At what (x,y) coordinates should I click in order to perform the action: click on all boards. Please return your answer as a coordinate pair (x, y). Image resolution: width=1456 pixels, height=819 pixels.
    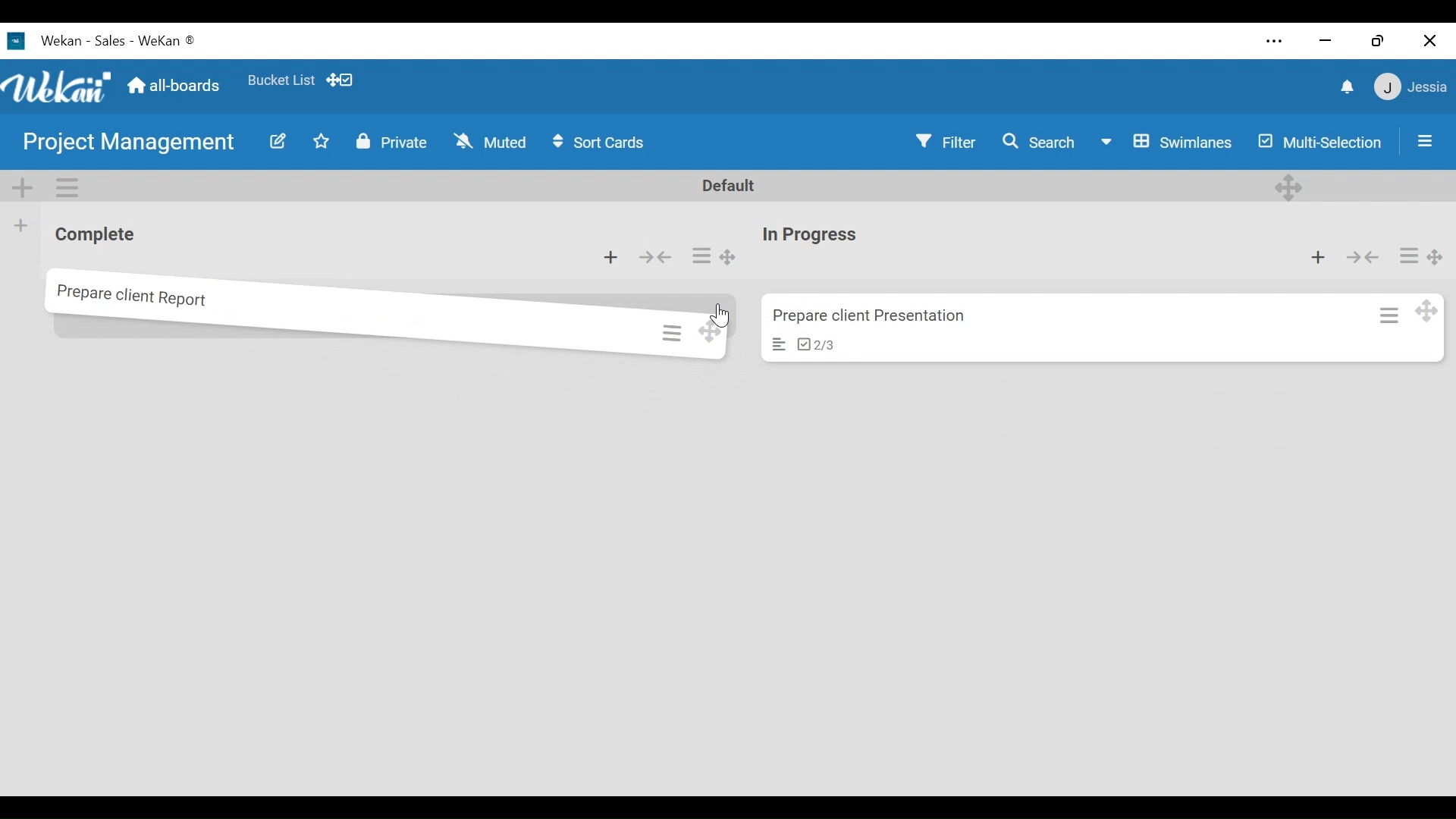
    Looking at the image, I should click on (175, 85).